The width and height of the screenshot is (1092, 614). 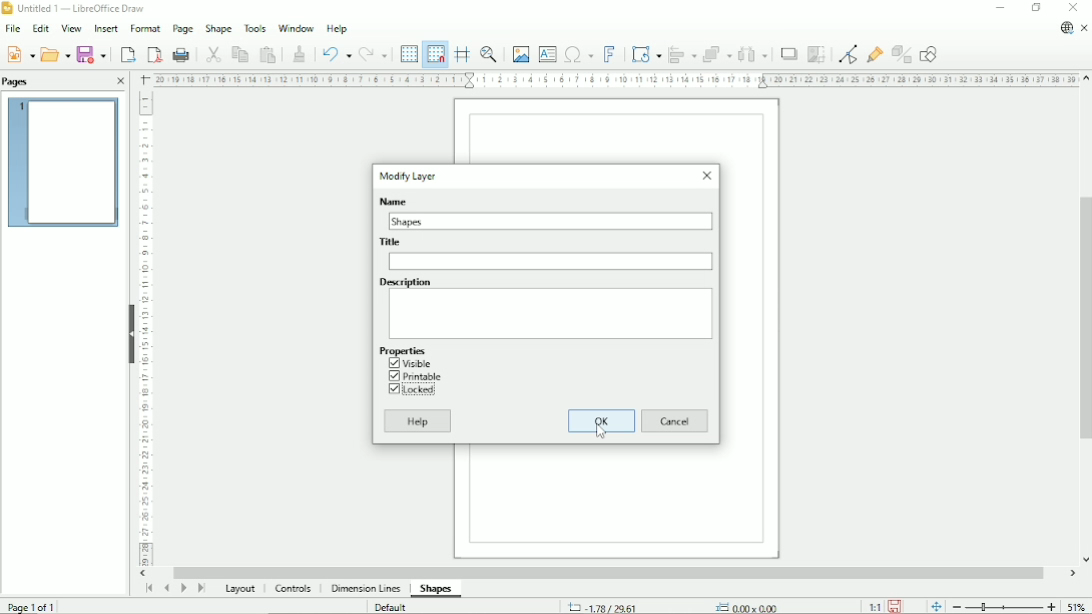 What do you see at coordinates (336, 28) in the screenshot?
I see `Help` at bounding box center [336, 28].